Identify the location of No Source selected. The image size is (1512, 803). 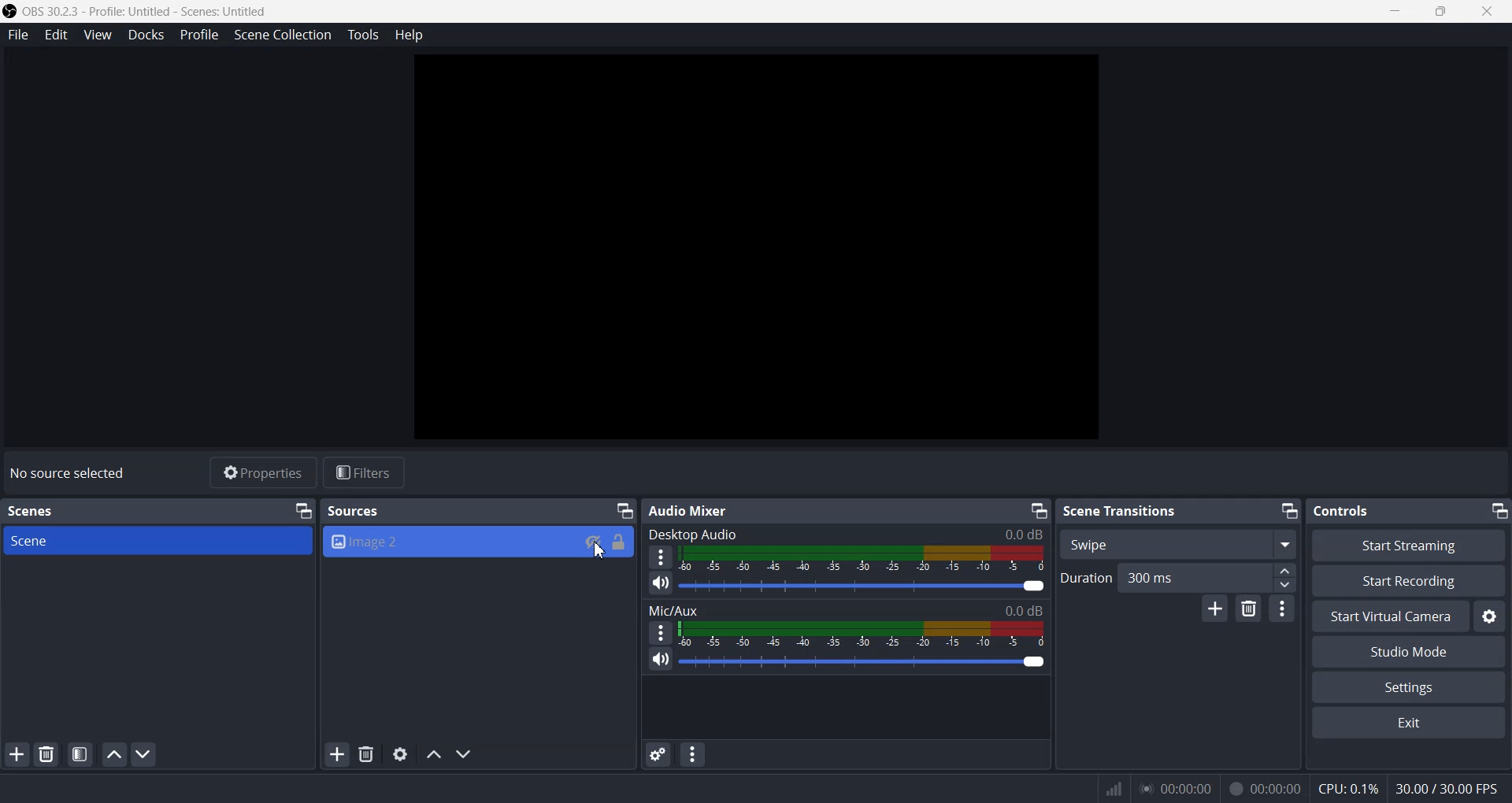
(70, 474).